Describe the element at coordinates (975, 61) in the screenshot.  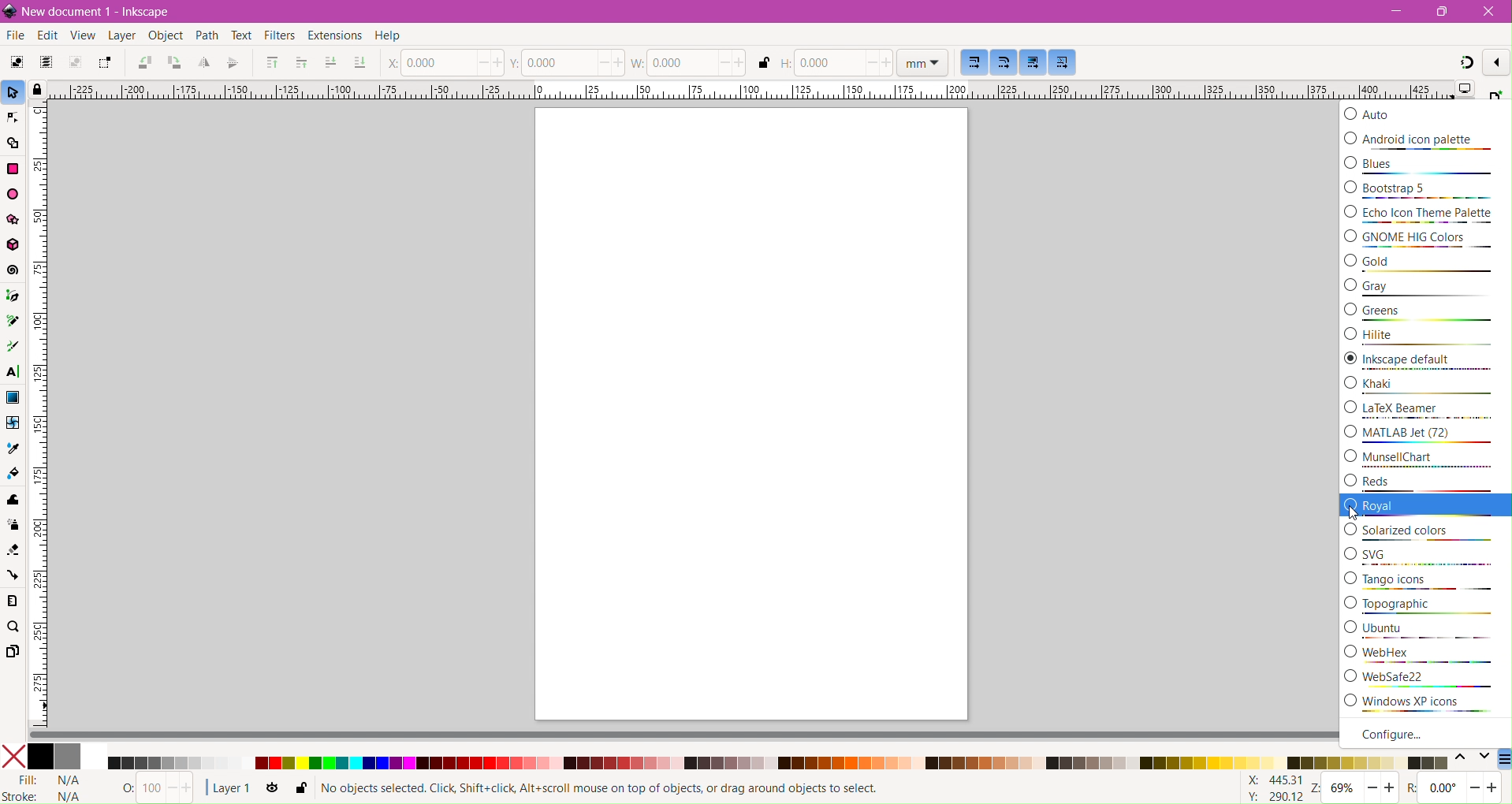
I see `When scaling objects, scale the stroke width by the same proportion` at that location.